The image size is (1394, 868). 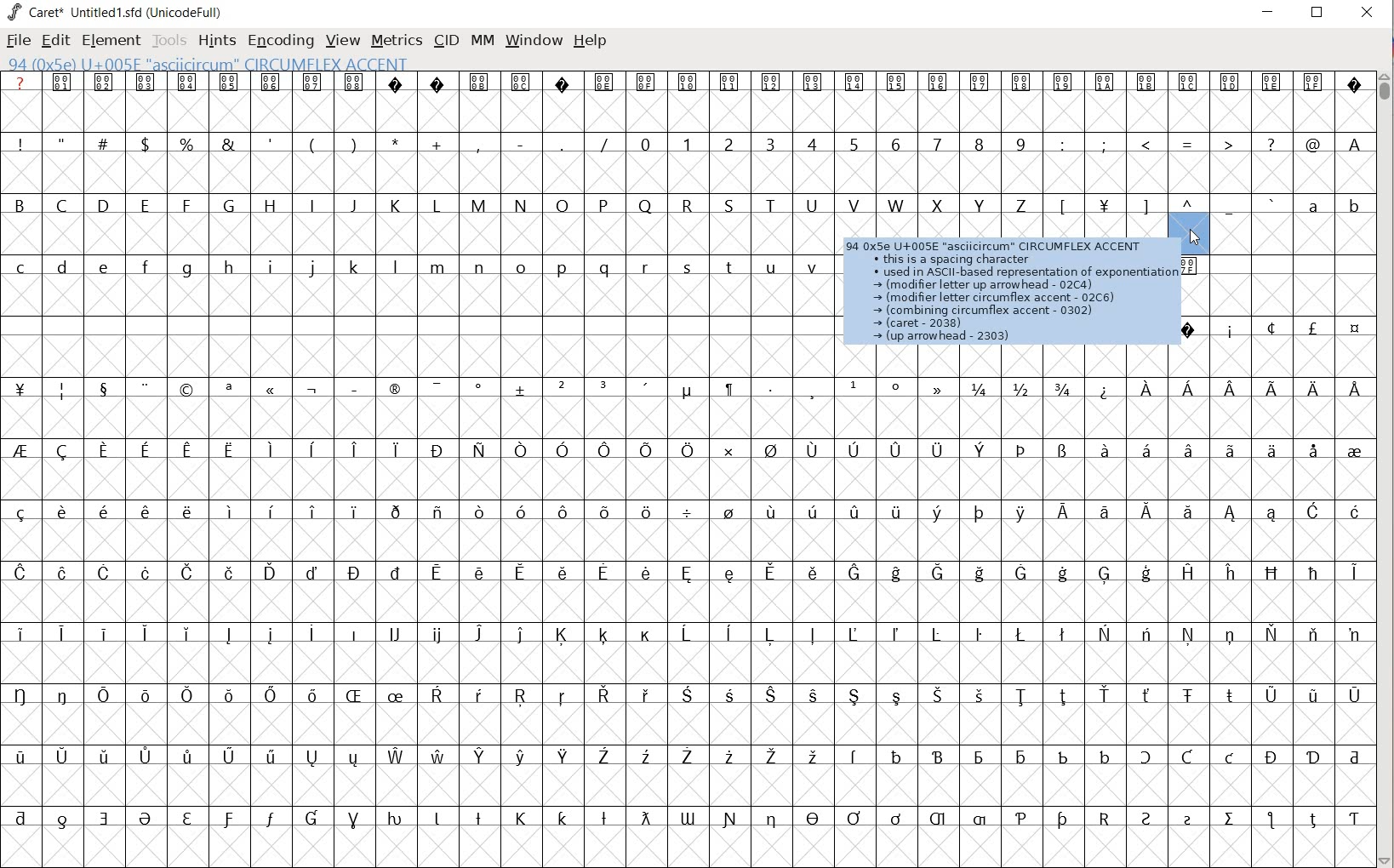 What do you see at coordinates (532, 39) in the screenshot?
I see `WINDOW` at bounding box center [532, 39].